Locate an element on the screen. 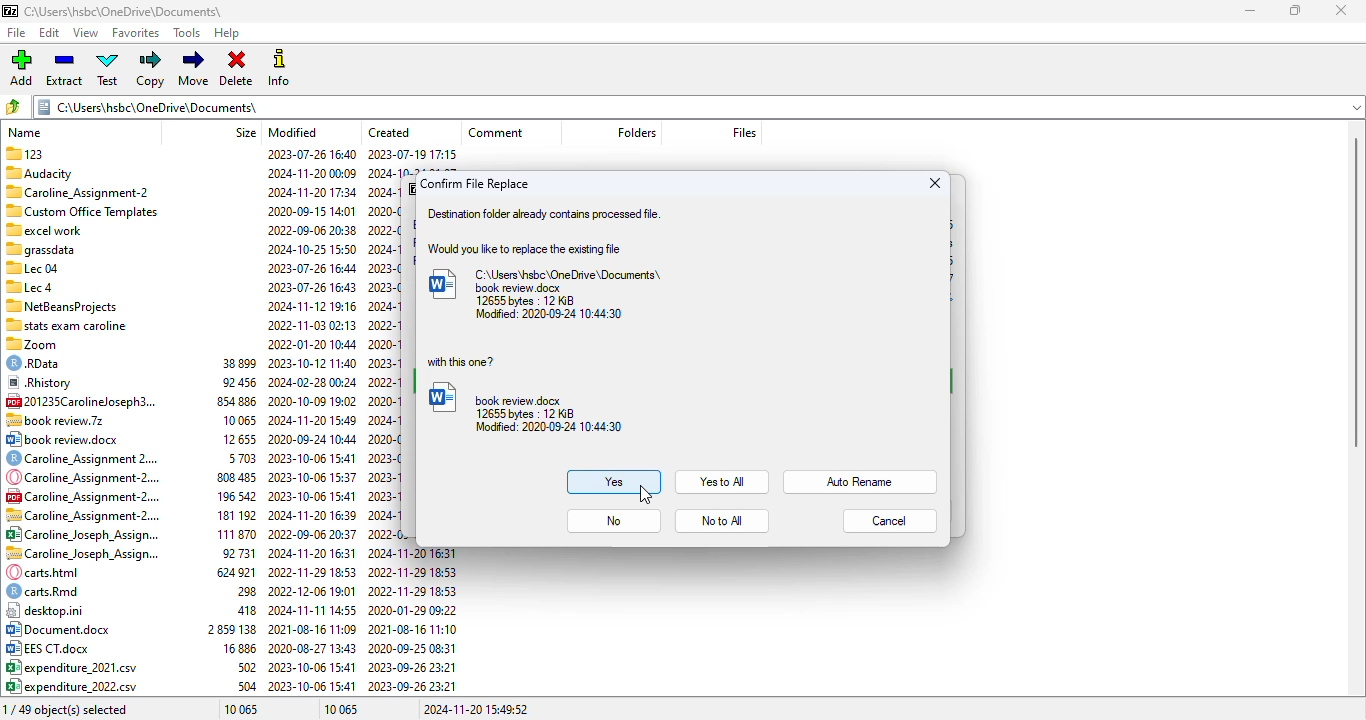 This screenshot has height=720, width=1366. delete is located at coordinates (236, 68).